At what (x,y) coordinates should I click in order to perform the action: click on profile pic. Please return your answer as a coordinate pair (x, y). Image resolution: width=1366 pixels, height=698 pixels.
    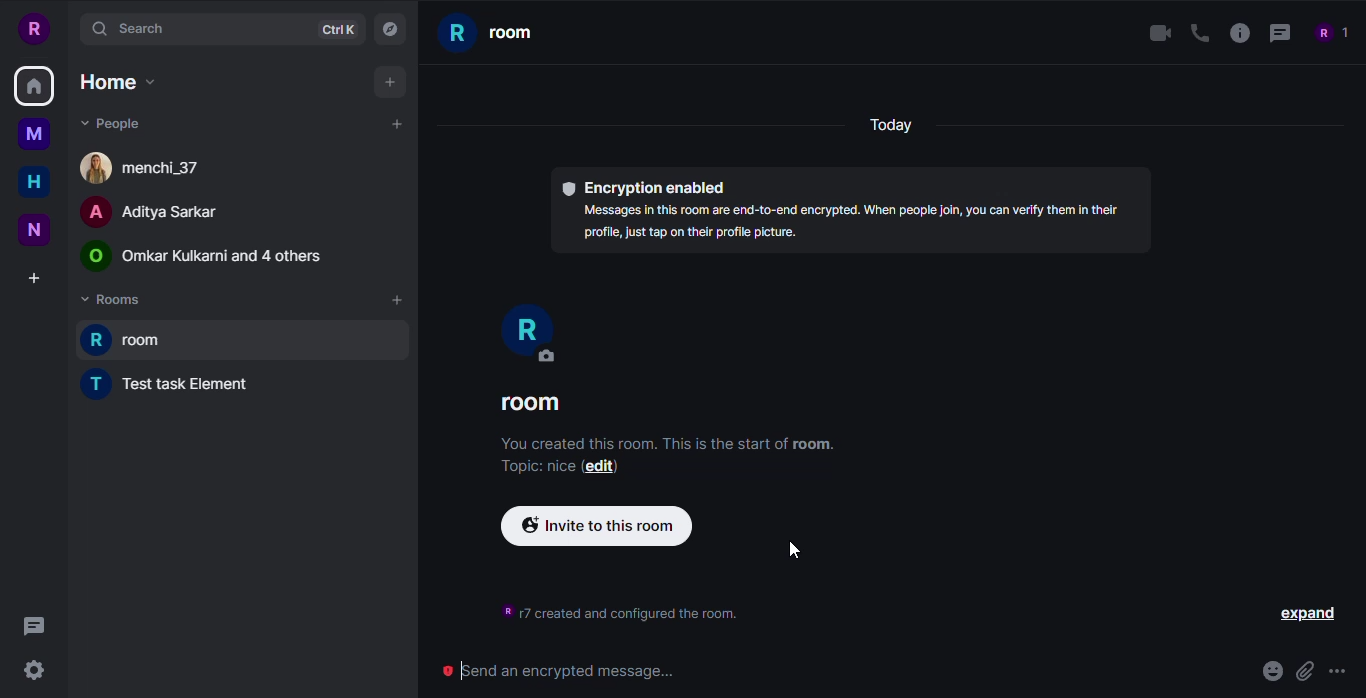
    Looking at the image, I should click on (527, 333).